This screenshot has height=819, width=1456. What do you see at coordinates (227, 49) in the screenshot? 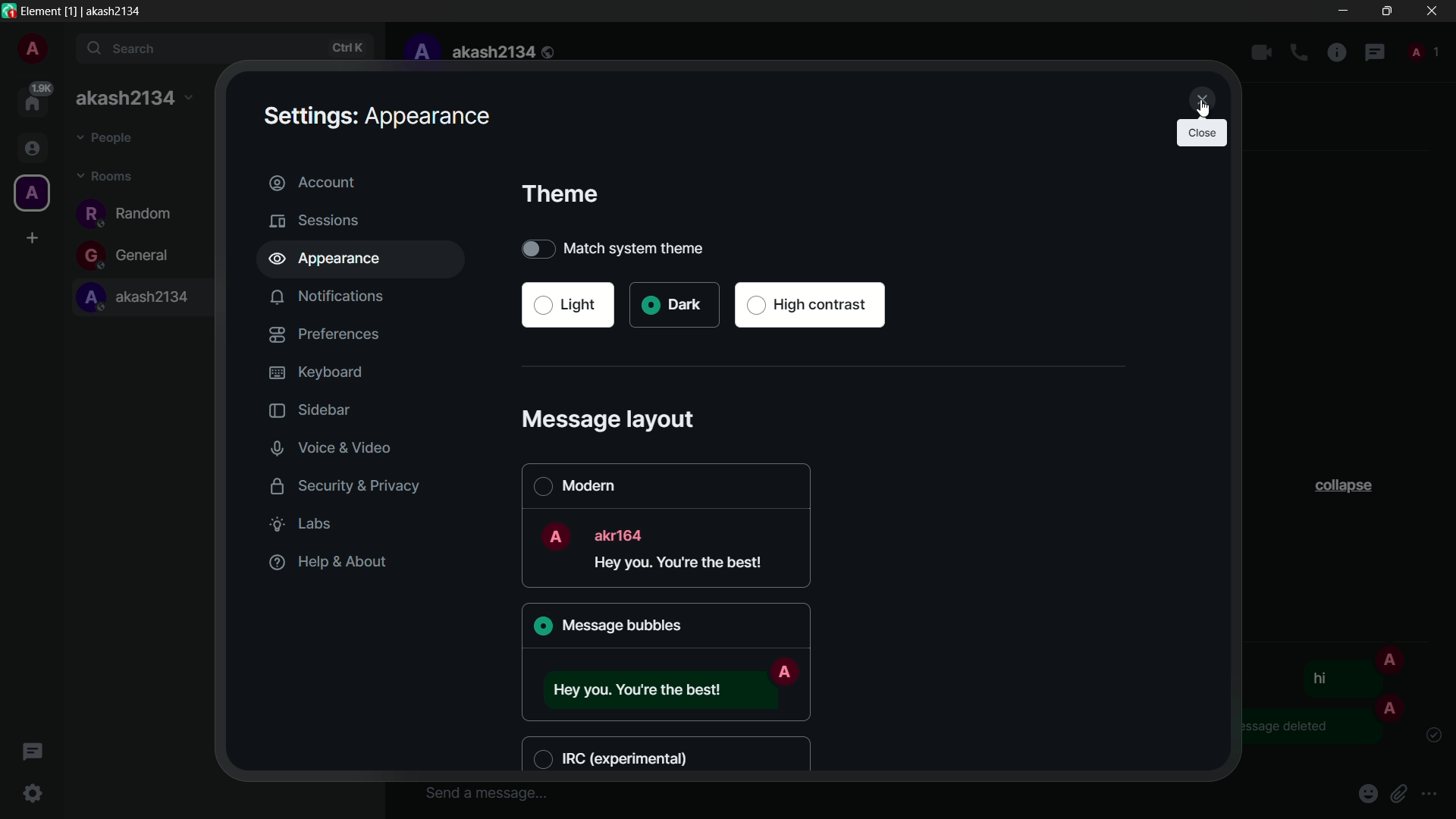
I see `search bar` at bounding box center [227, 49].